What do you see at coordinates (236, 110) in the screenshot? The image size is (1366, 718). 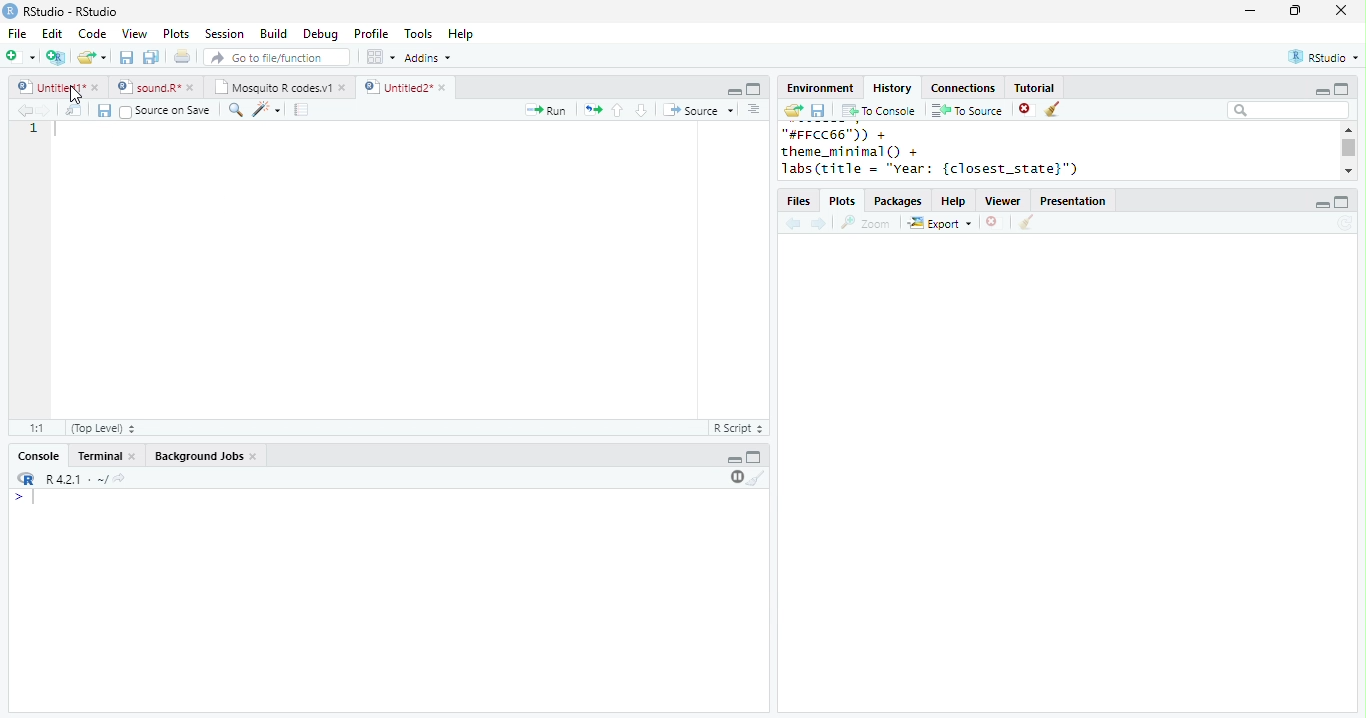 I see `search` at bounding box center [236, 110].